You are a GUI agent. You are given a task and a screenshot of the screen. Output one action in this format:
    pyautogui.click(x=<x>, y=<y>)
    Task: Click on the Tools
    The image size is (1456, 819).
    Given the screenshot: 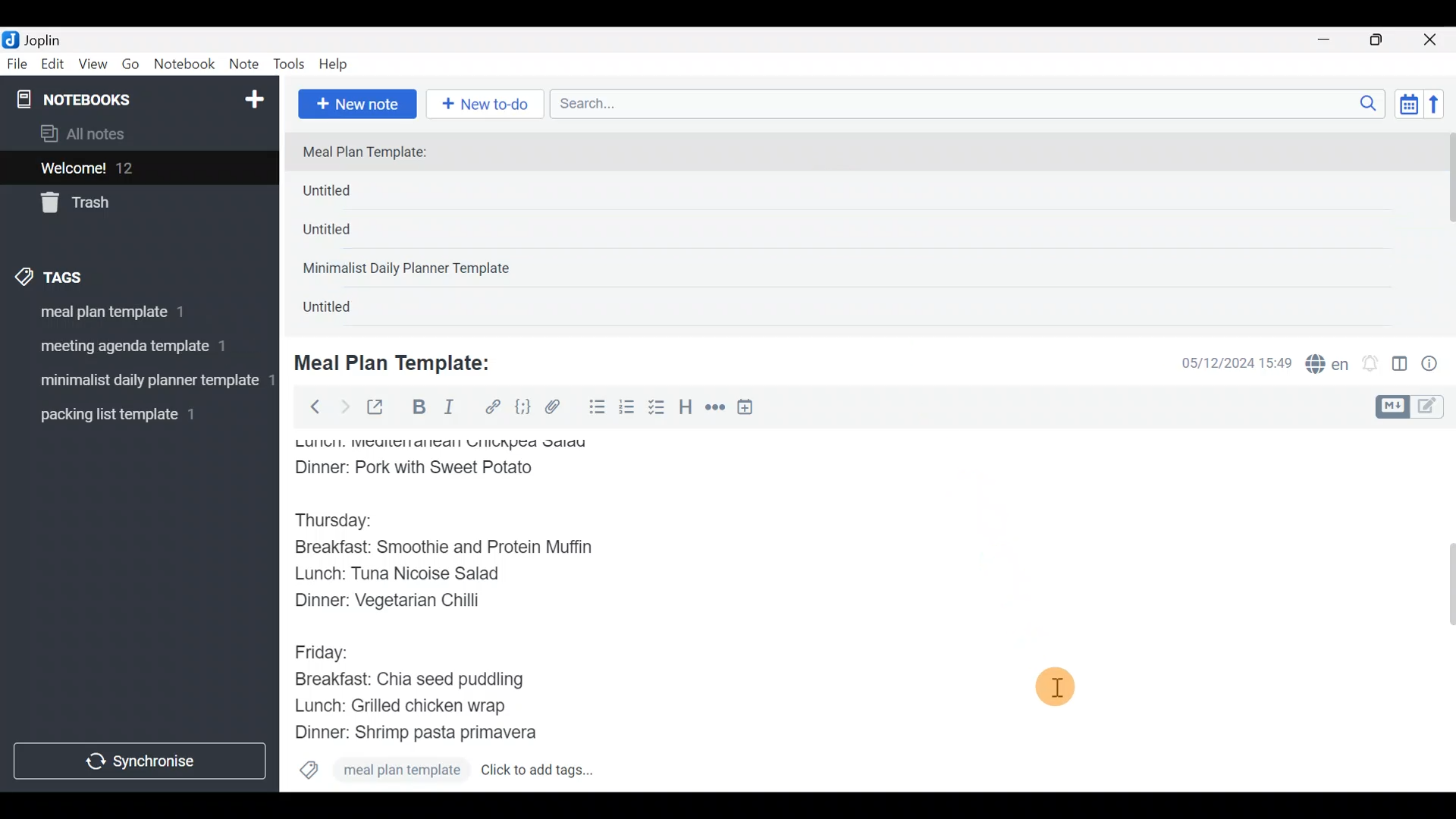 What is the action you would take?
    pyautogui.click(x=290, y=65)
    